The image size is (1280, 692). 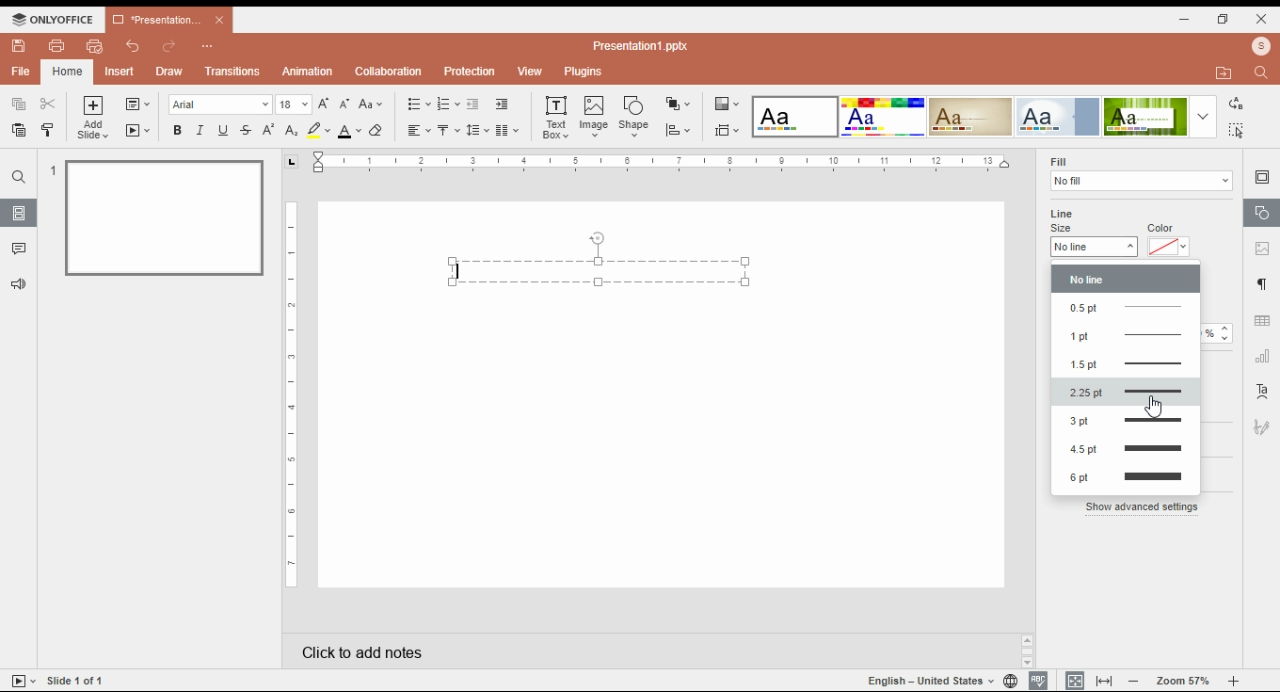 I want to click on spell check, so click(x=1039, y=681).